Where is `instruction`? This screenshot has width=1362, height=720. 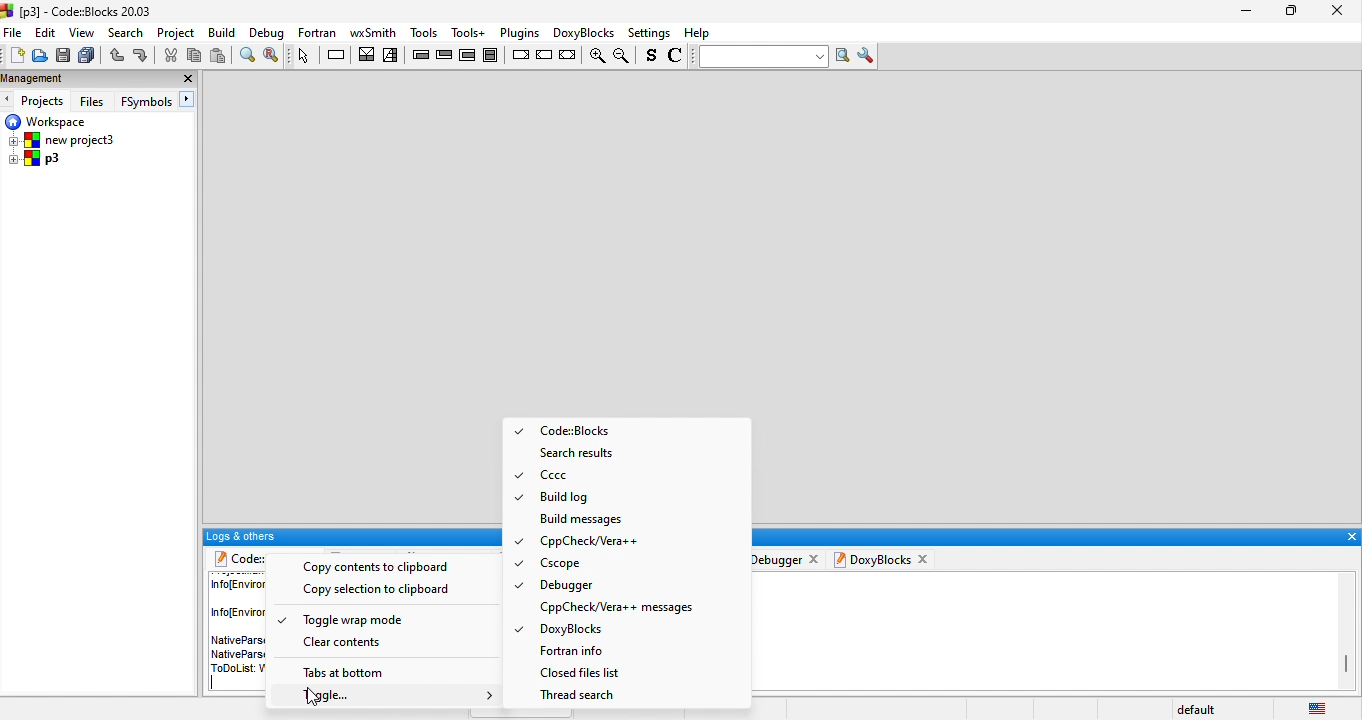
instruction is located at coordinates (338, 55).